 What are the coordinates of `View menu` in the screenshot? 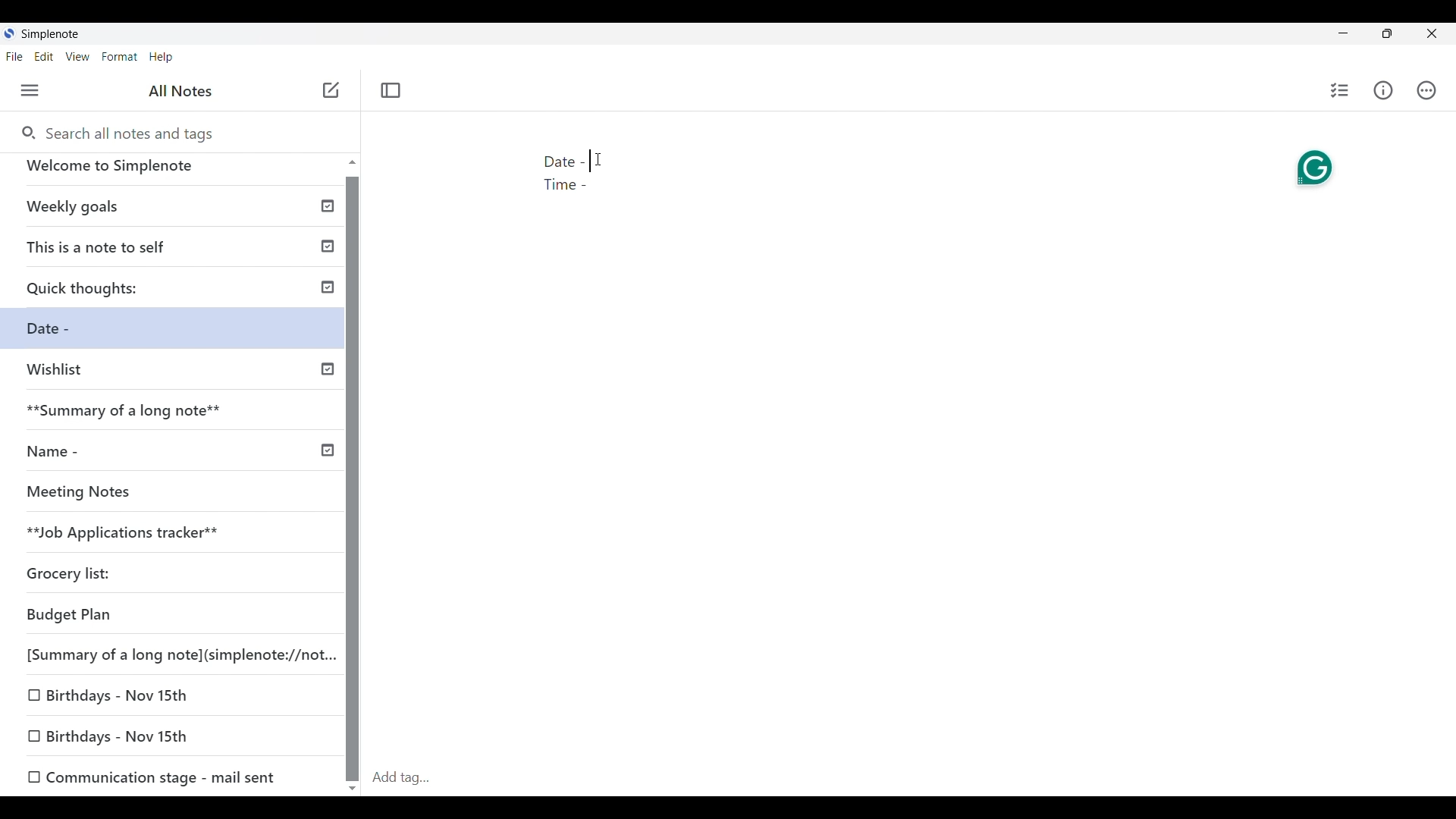 It's located at (78, 56).